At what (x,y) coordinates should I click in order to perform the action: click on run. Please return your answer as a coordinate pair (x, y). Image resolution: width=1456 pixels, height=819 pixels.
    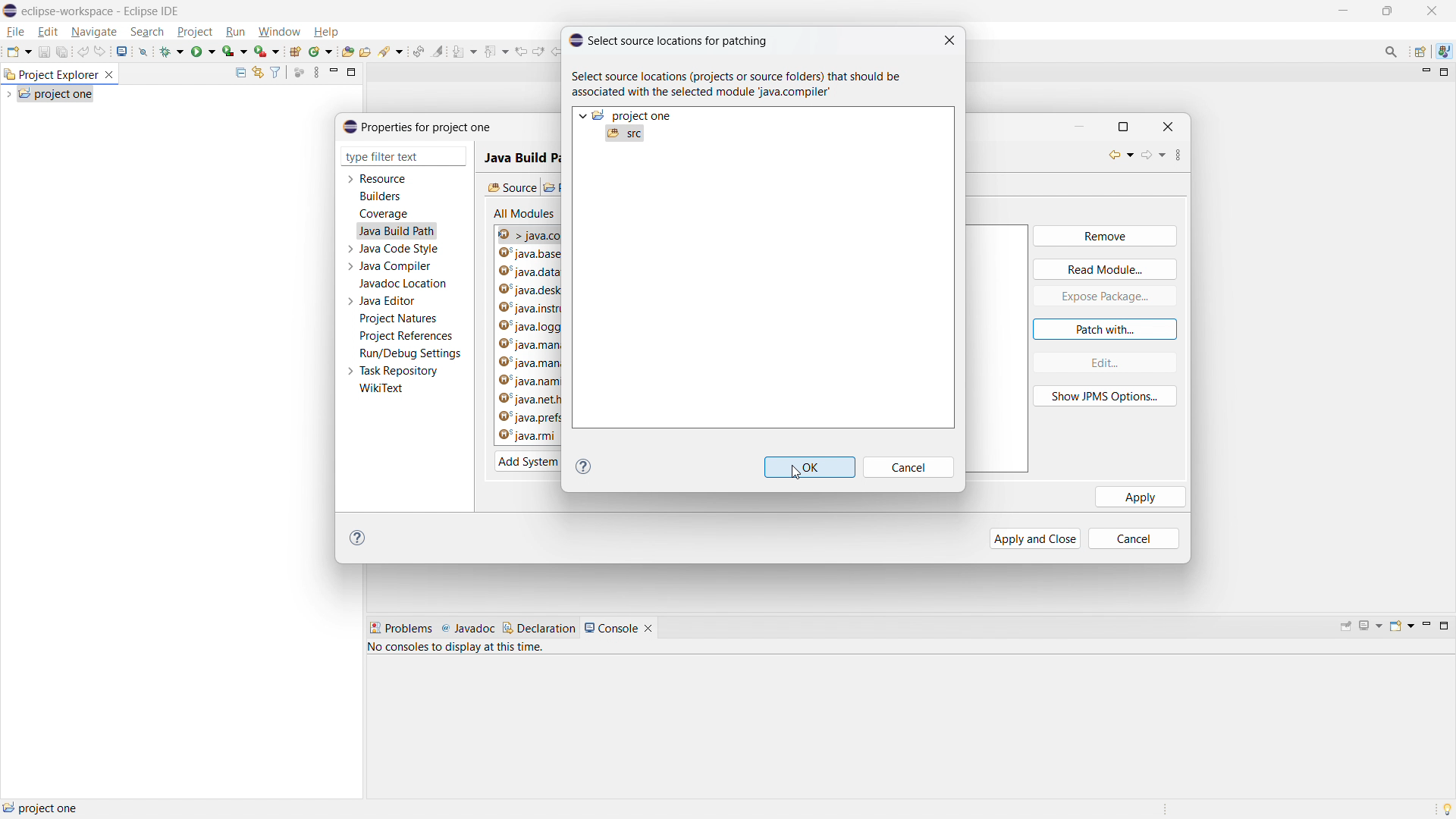
    Looking at the image, I should click on (236, 32).